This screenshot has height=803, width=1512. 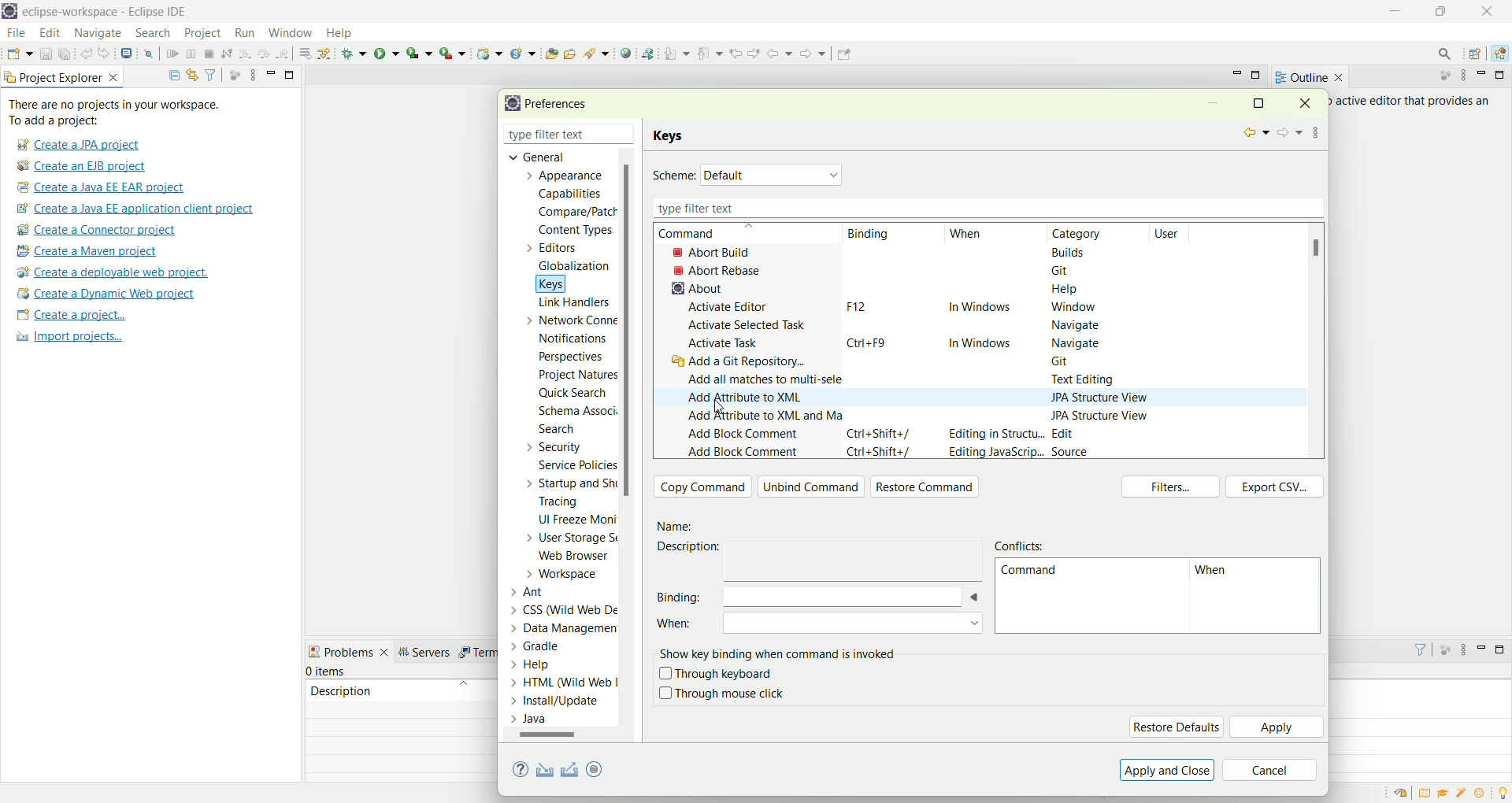 I want to click on add a Git repository, so click(x=743, y=363).